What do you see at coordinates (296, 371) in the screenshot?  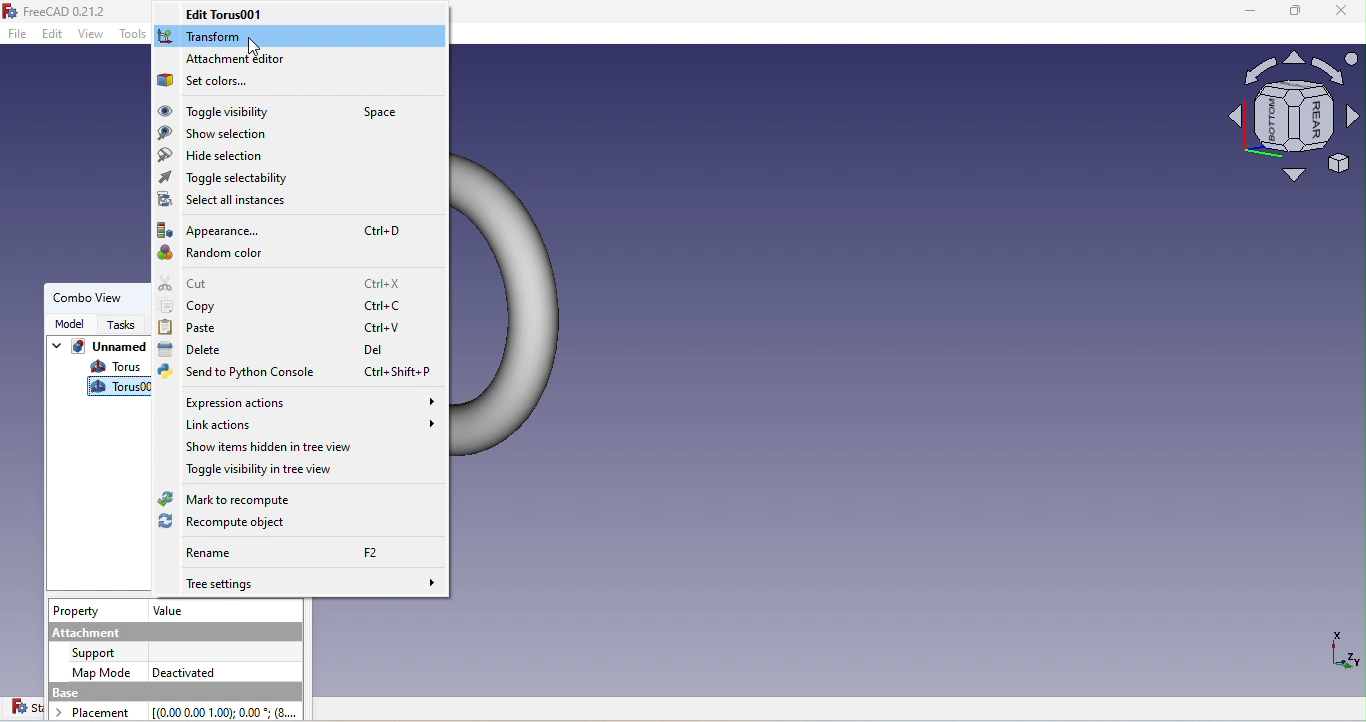 I see `Send to Python console` at bounding box center [296, 371].